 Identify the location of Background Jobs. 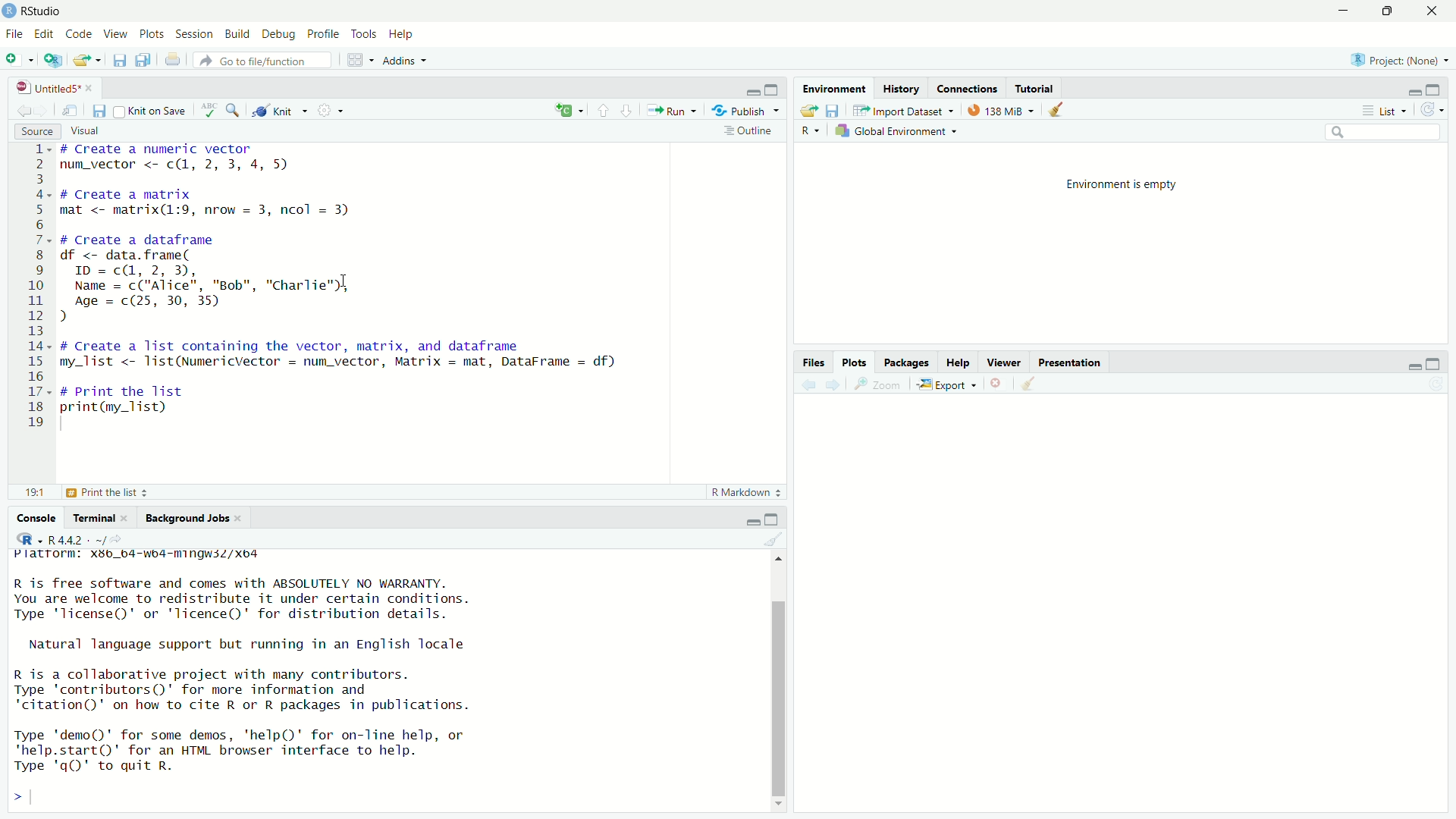
(193, 519).